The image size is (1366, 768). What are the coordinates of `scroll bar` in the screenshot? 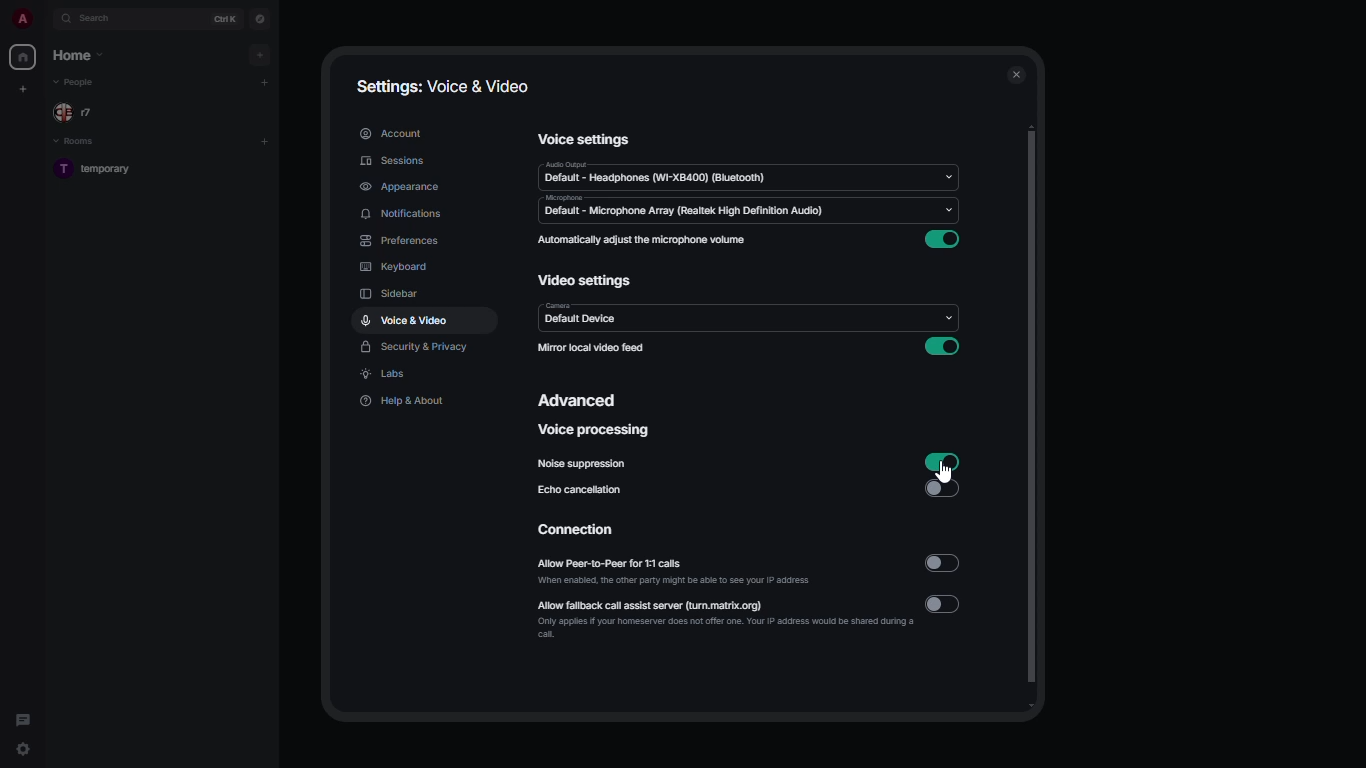 It's located at (1034, 419).